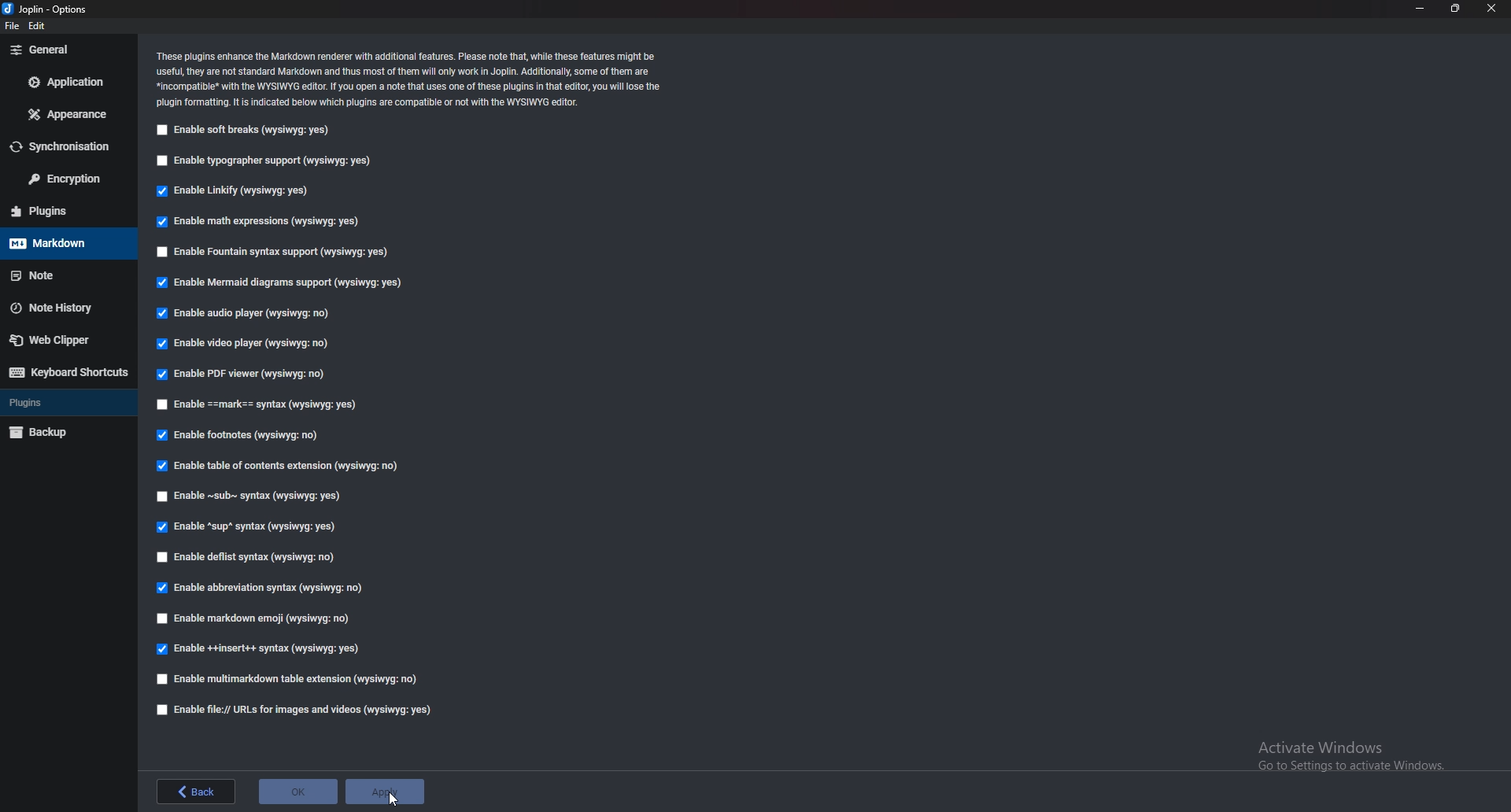 Image resolution: width=1511 pixels, height=812 pixels. Describe the element at coordinates (241, 436) in the screenshot. I see `Enable footnotes` at that location.